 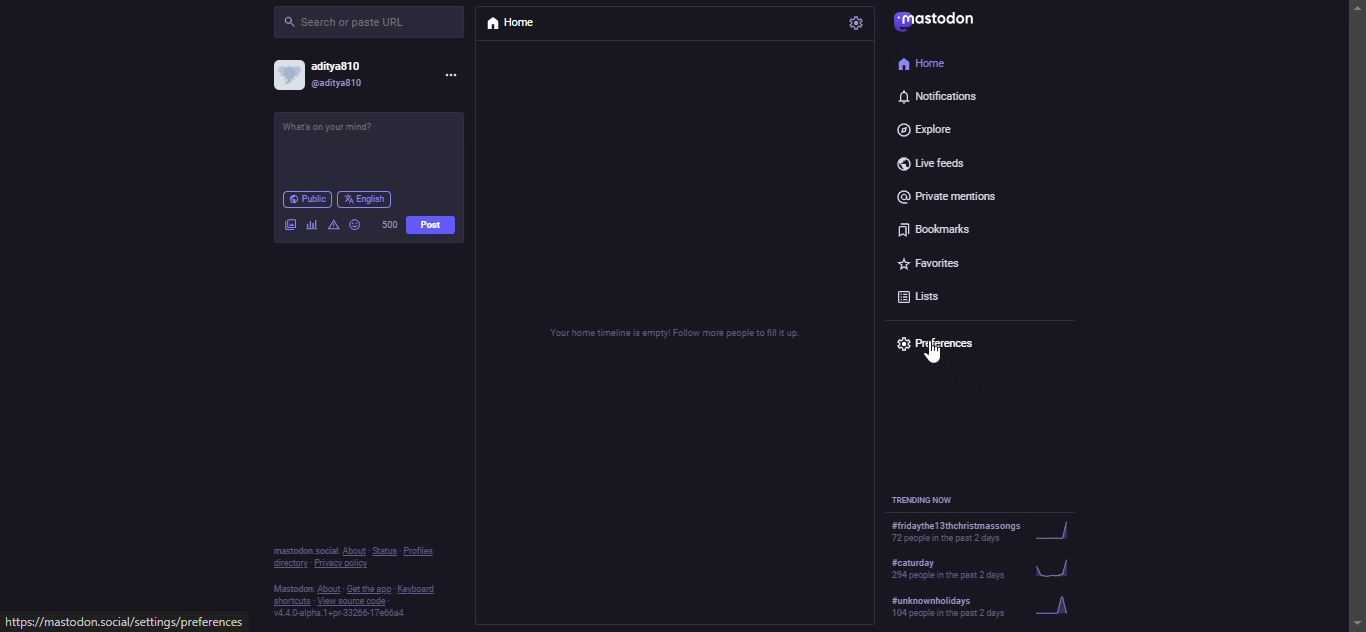 What do you see at coordinates (390, 225) in the screenshot?
I see `500` at bounding box center [390, 225].